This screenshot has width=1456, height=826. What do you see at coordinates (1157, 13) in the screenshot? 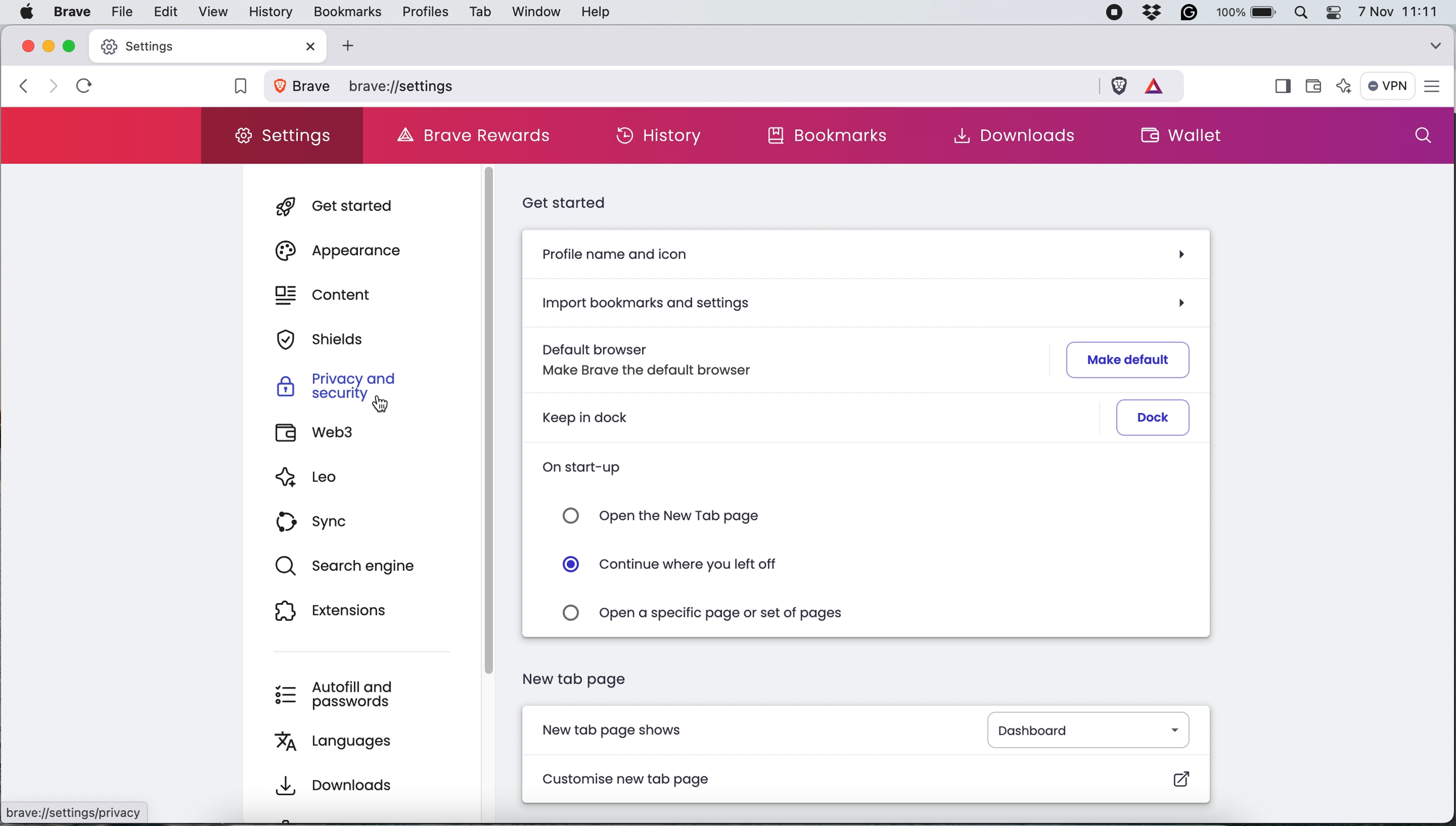
I see `dropbox` at bounding box center [1157, 13].